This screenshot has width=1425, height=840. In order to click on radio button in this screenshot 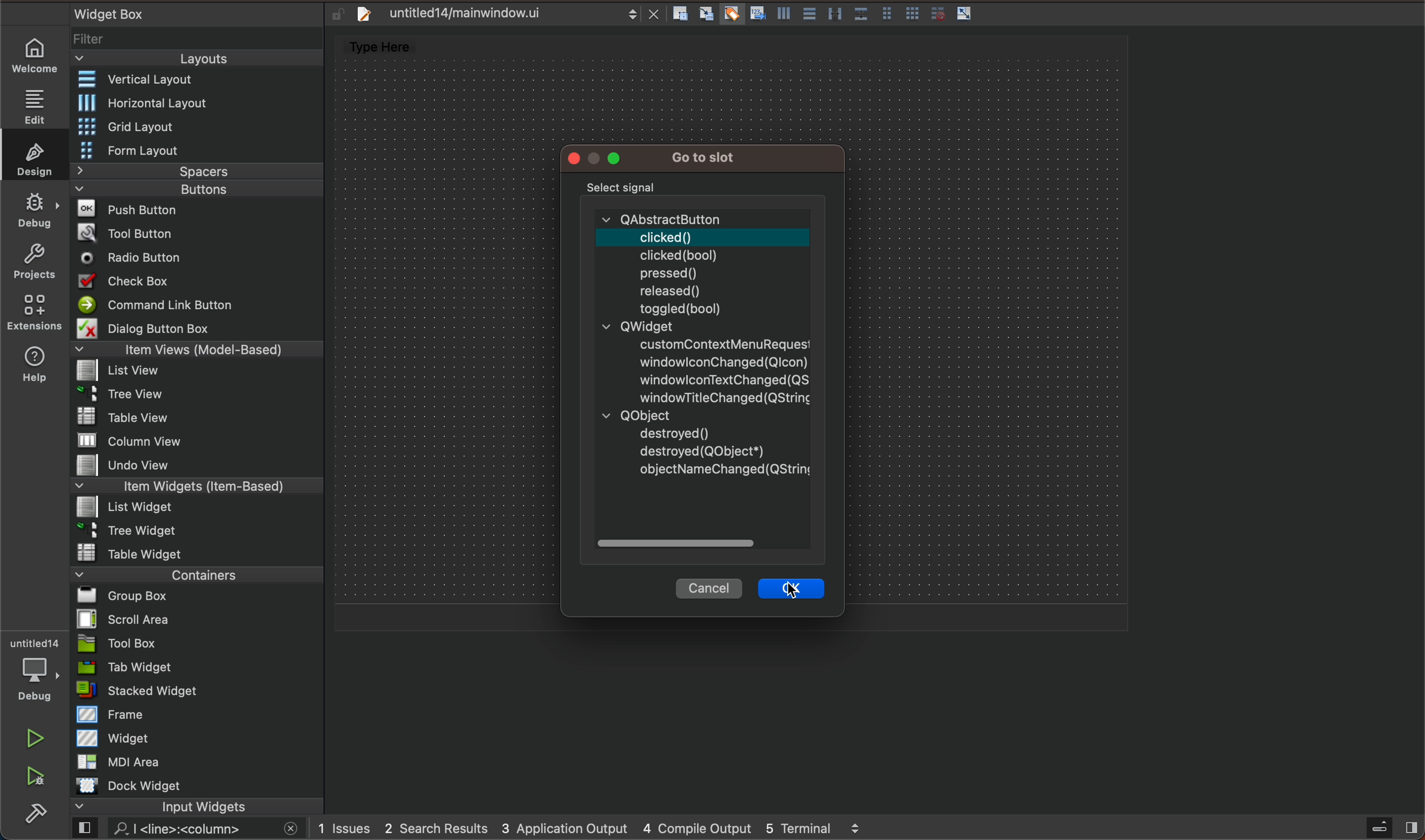, I will do `click(203, 259)`.